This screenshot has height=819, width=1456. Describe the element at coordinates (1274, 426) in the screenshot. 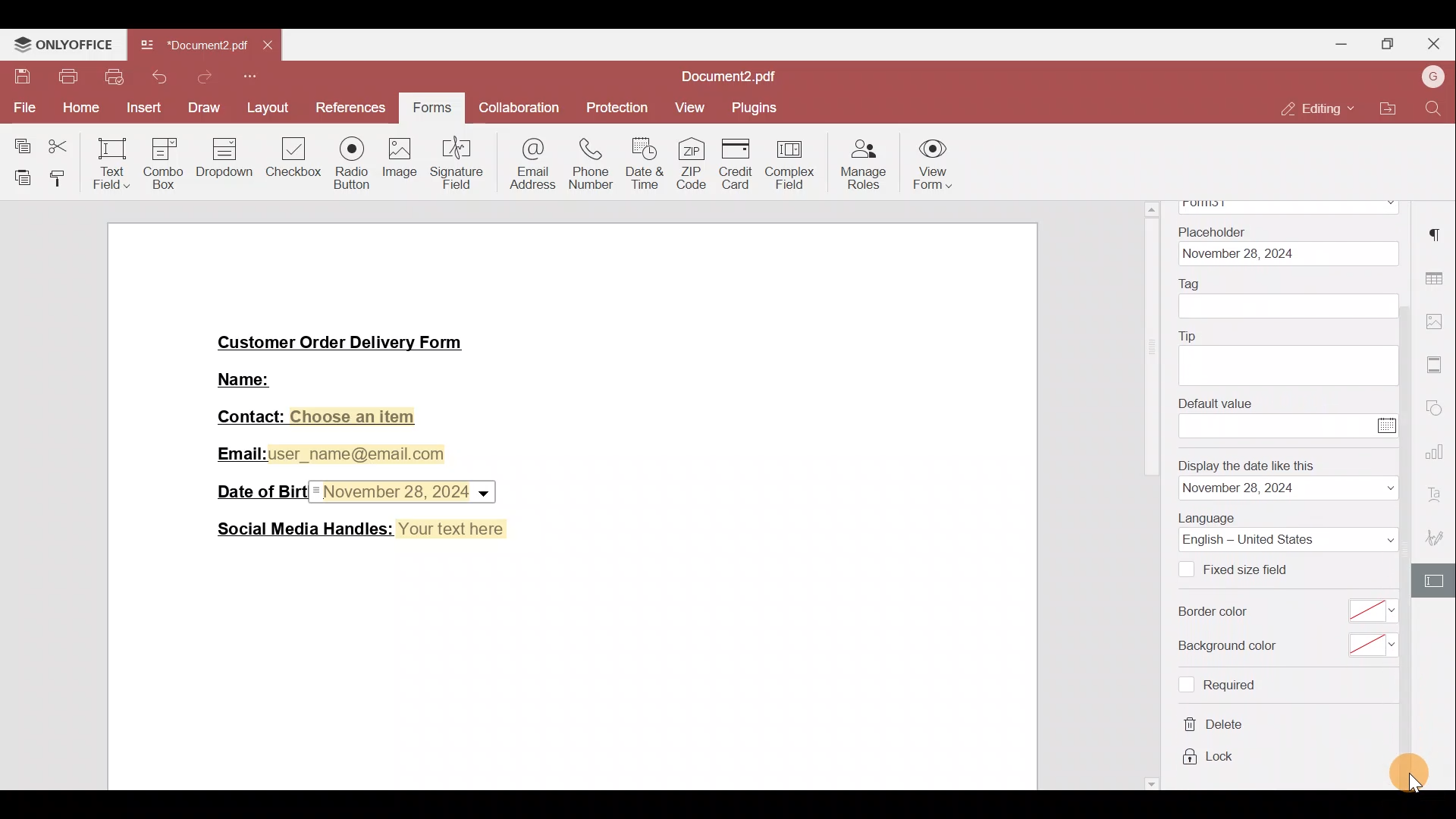

I see `enter value` at that location.